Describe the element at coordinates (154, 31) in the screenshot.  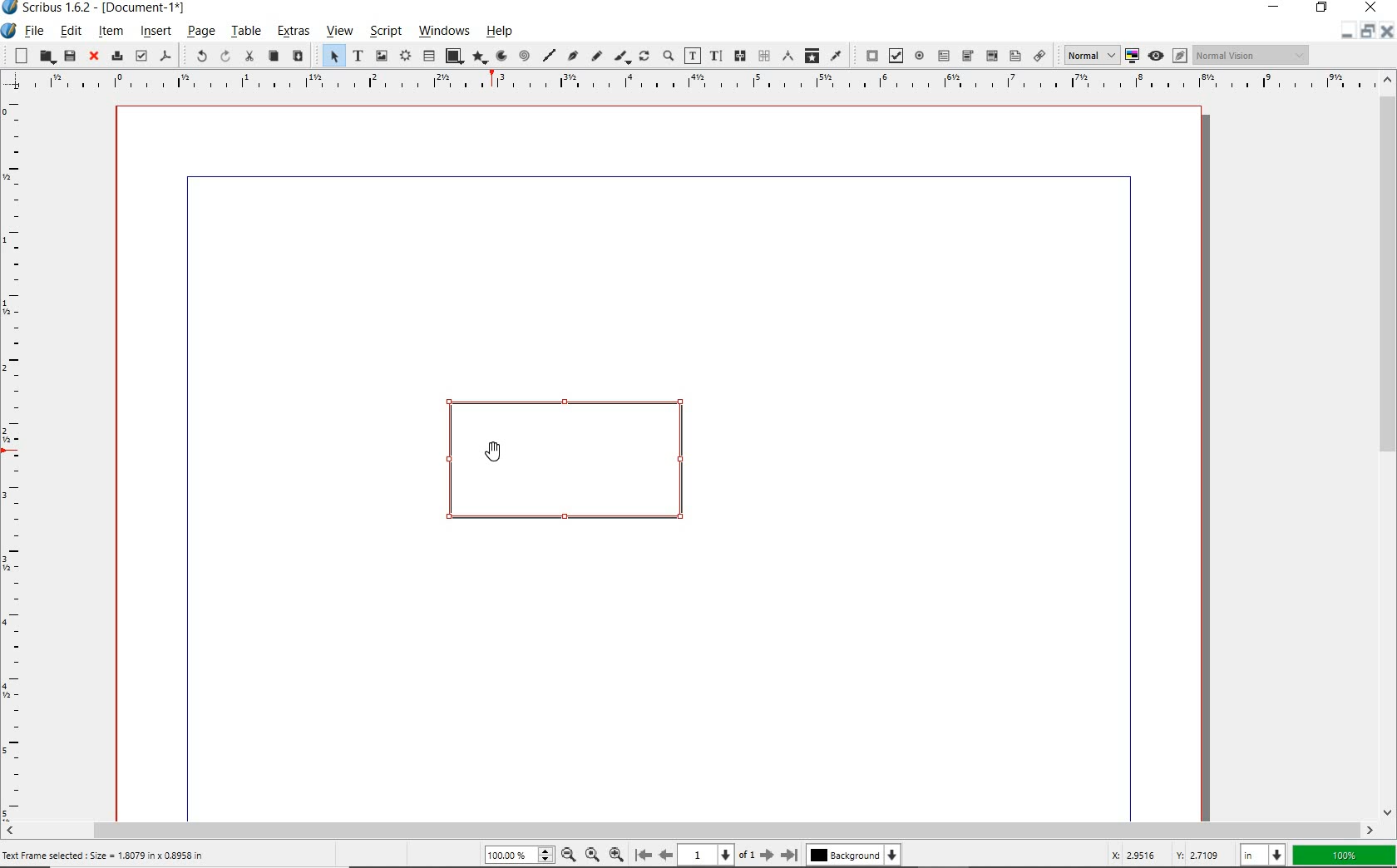
I see `insert` at that location.